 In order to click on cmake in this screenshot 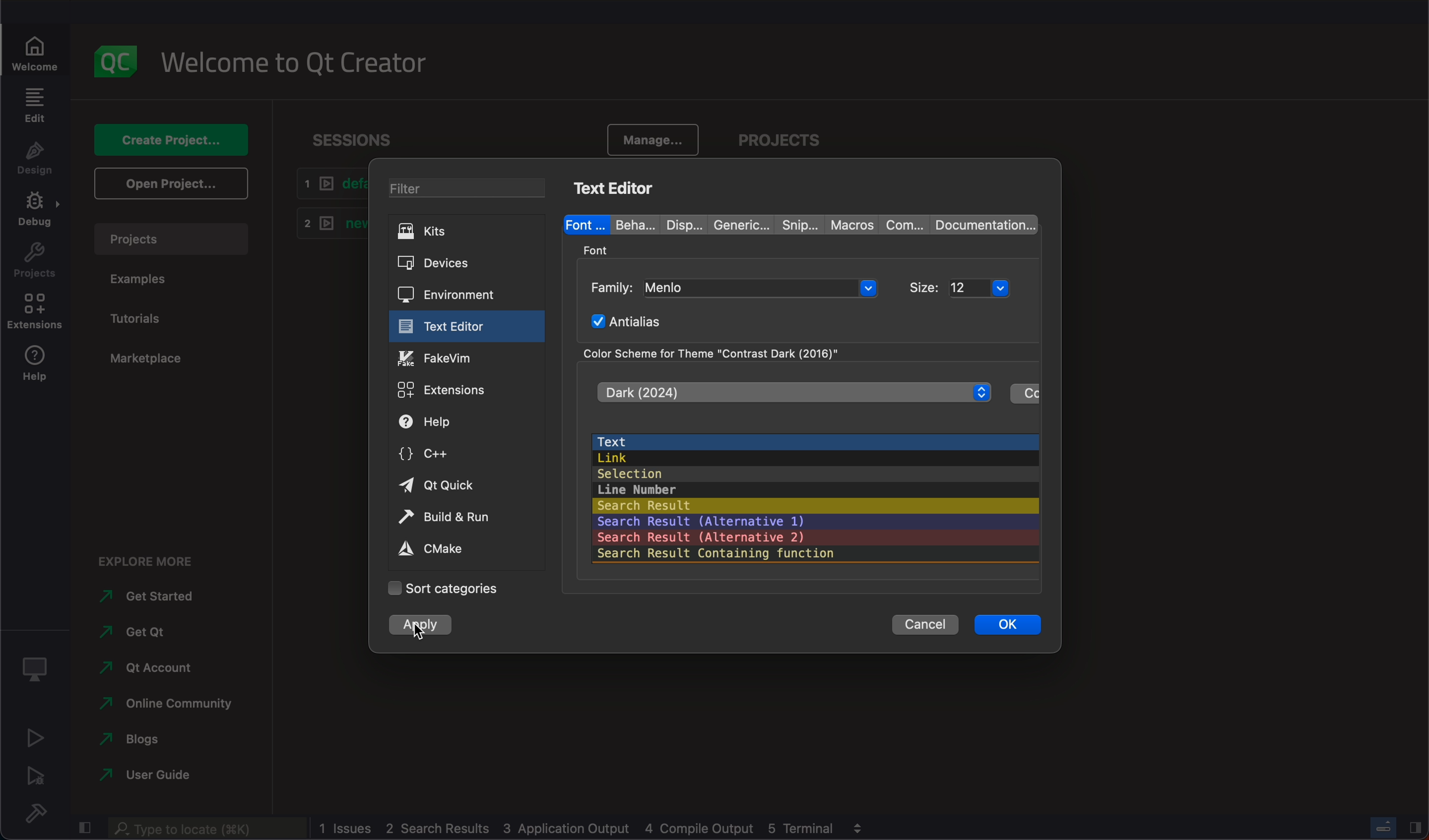, I will do `click(458, 549)`.